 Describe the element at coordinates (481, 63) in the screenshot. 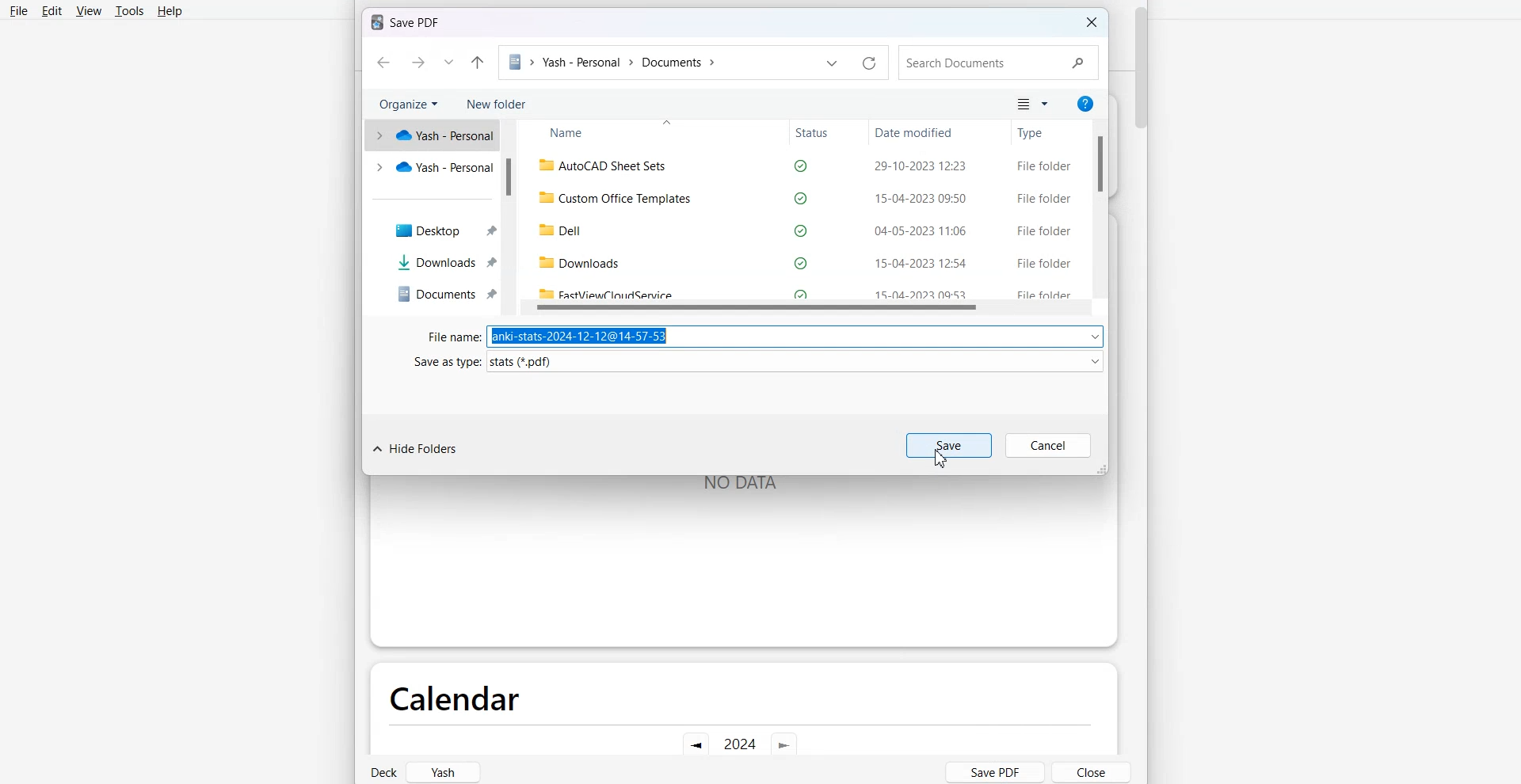

I see `Up to` at that location.